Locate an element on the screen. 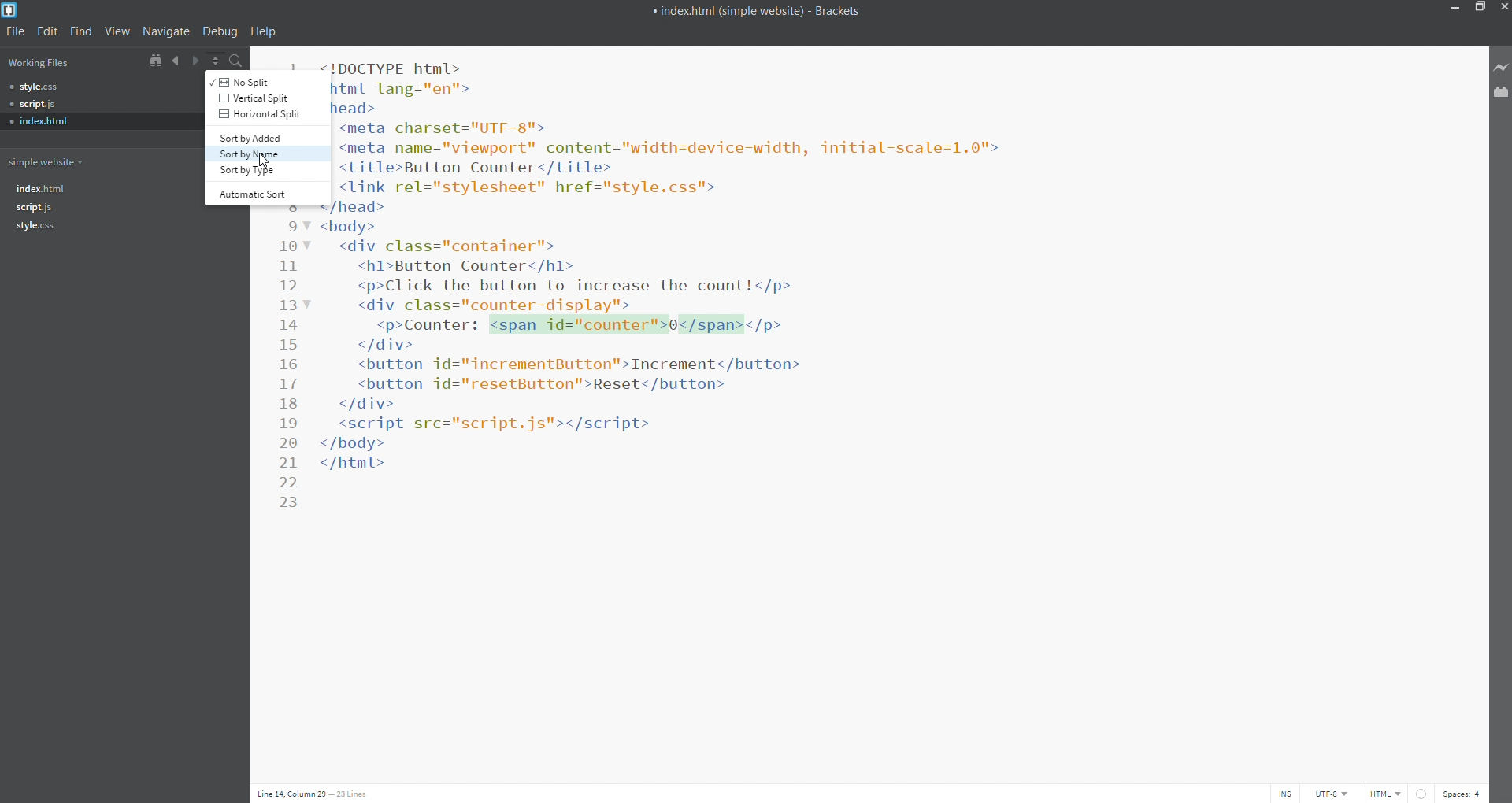  sort by name is located at coordinates (255, 155).